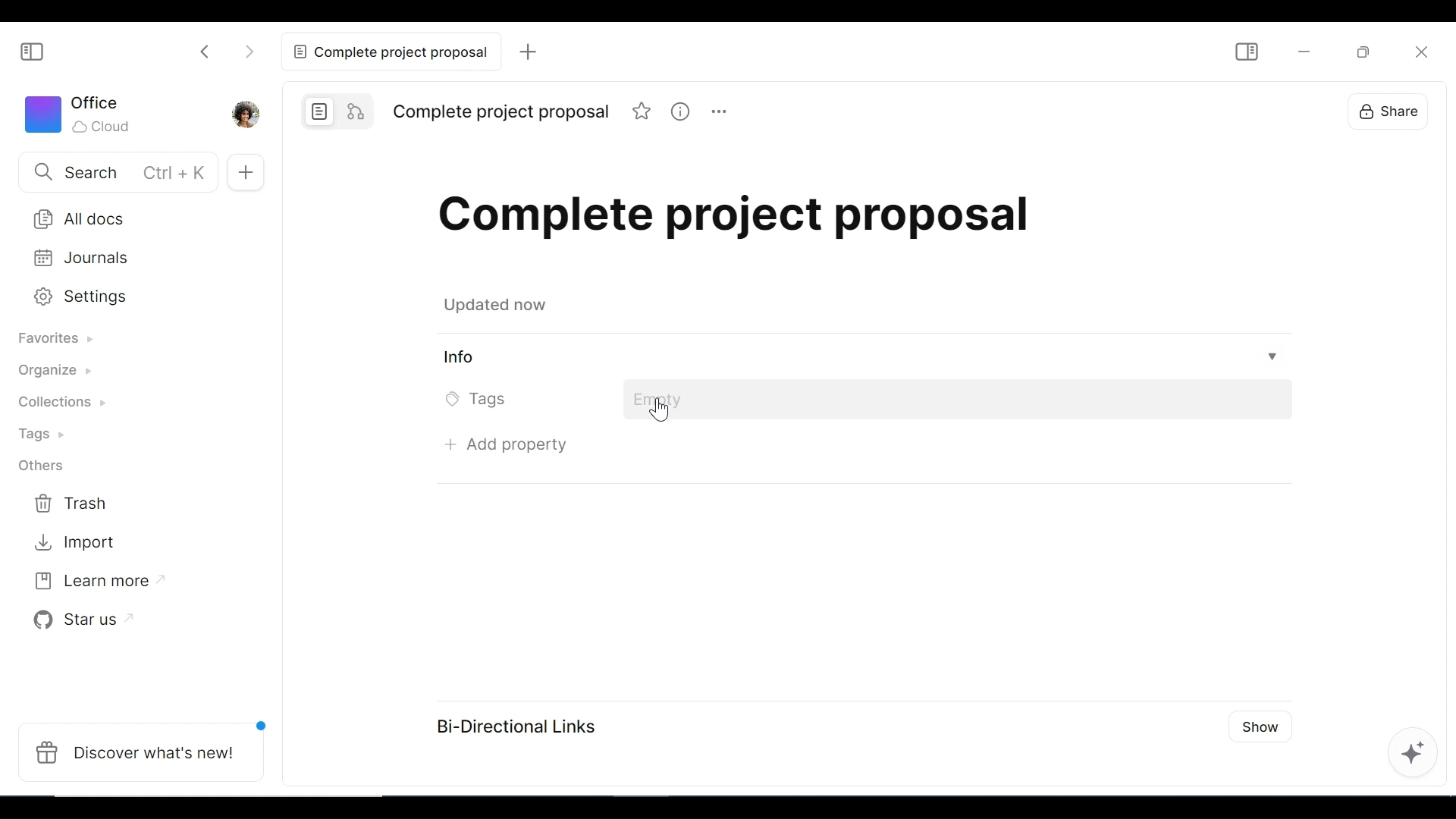 The image size is (1456, 819). Describe the element at coordinates (83, 617) in the screenshot. I see `Star us` at that location.